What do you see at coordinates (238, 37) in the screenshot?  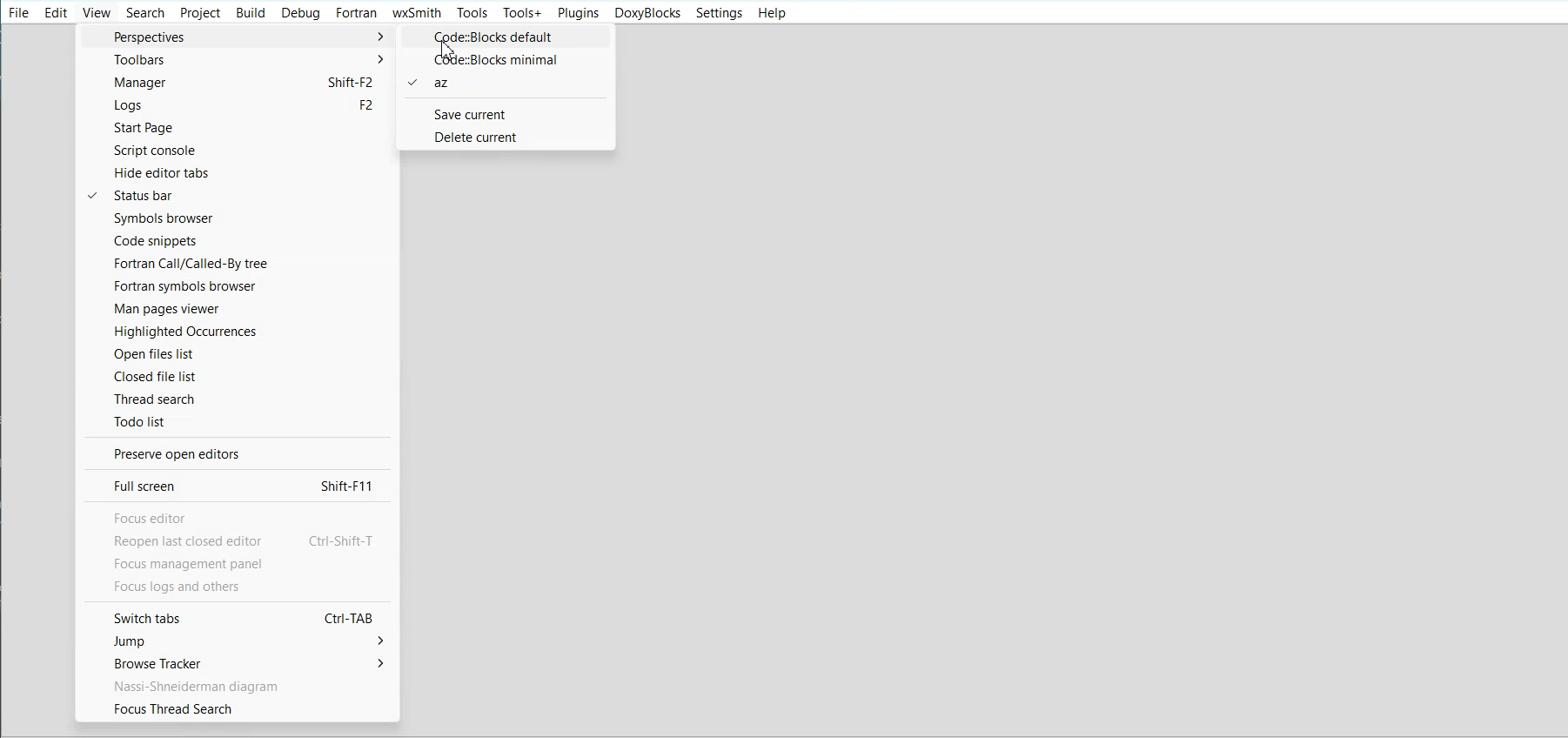 I see `Perspective` at bounding box center [238, 37].